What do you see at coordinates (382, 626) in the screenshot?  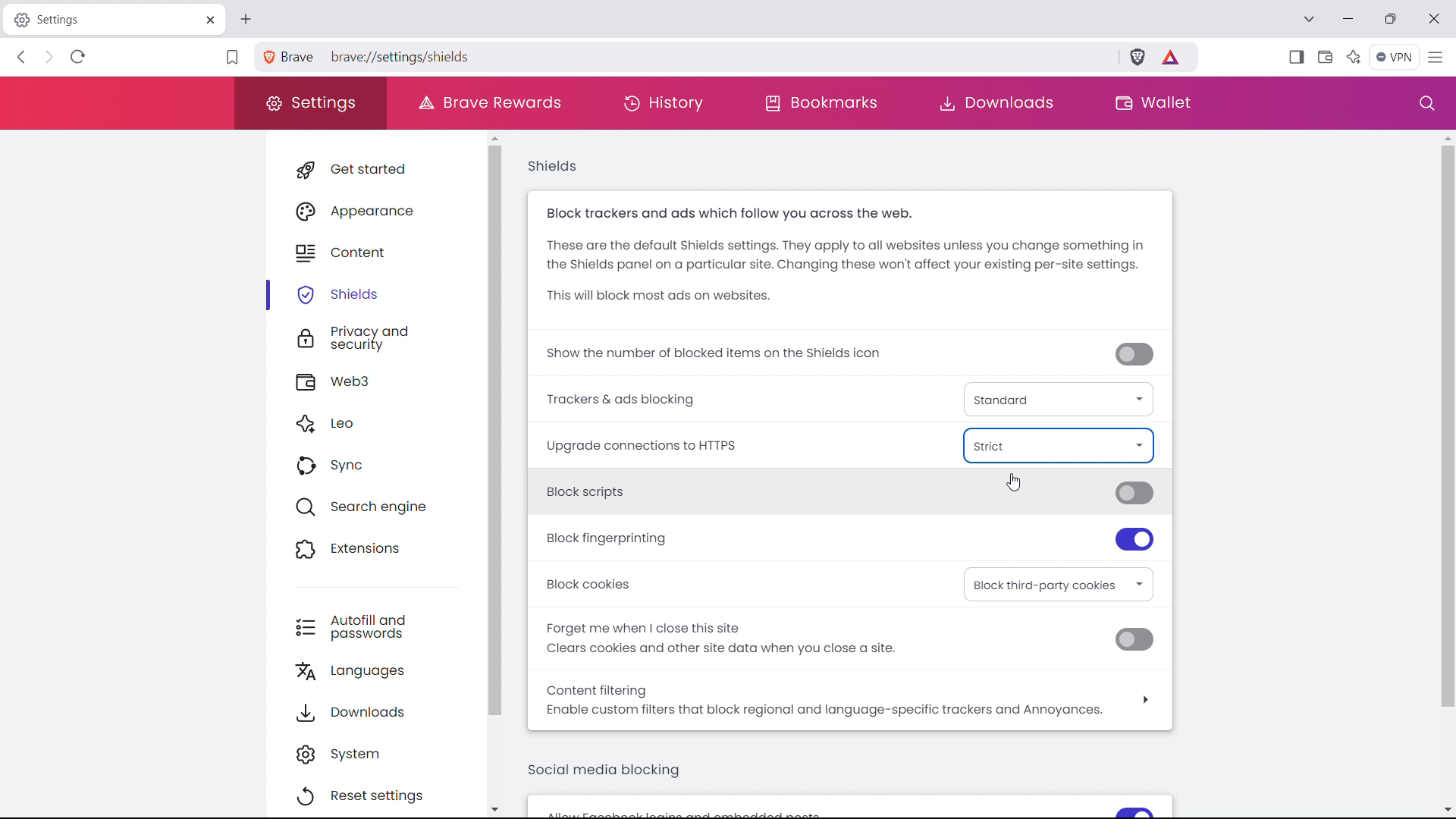 I see `autofill and passwords` at bounding box center [382, 626].